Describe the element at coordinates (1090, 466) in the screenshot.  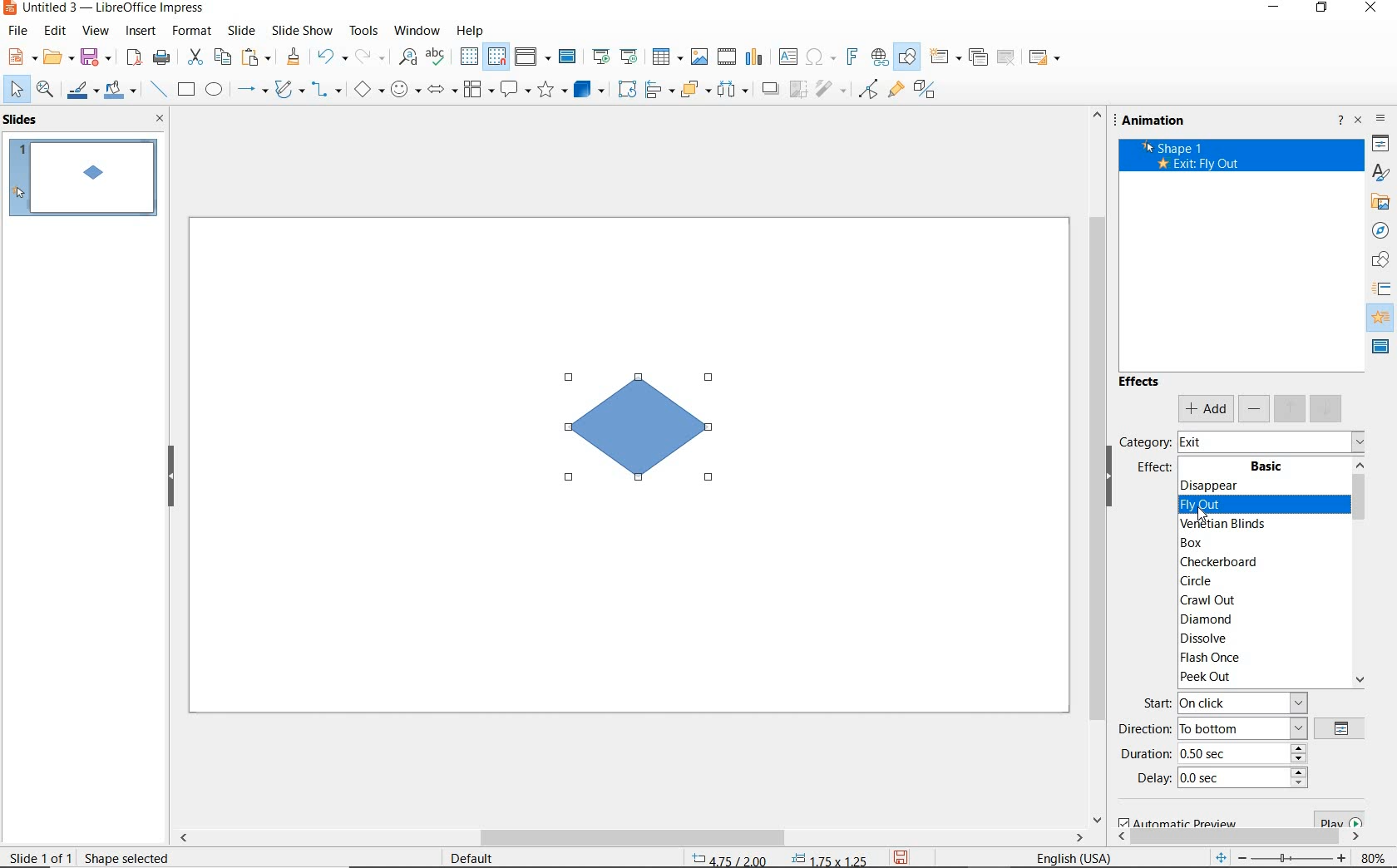
I see `scrollbar` at that location.